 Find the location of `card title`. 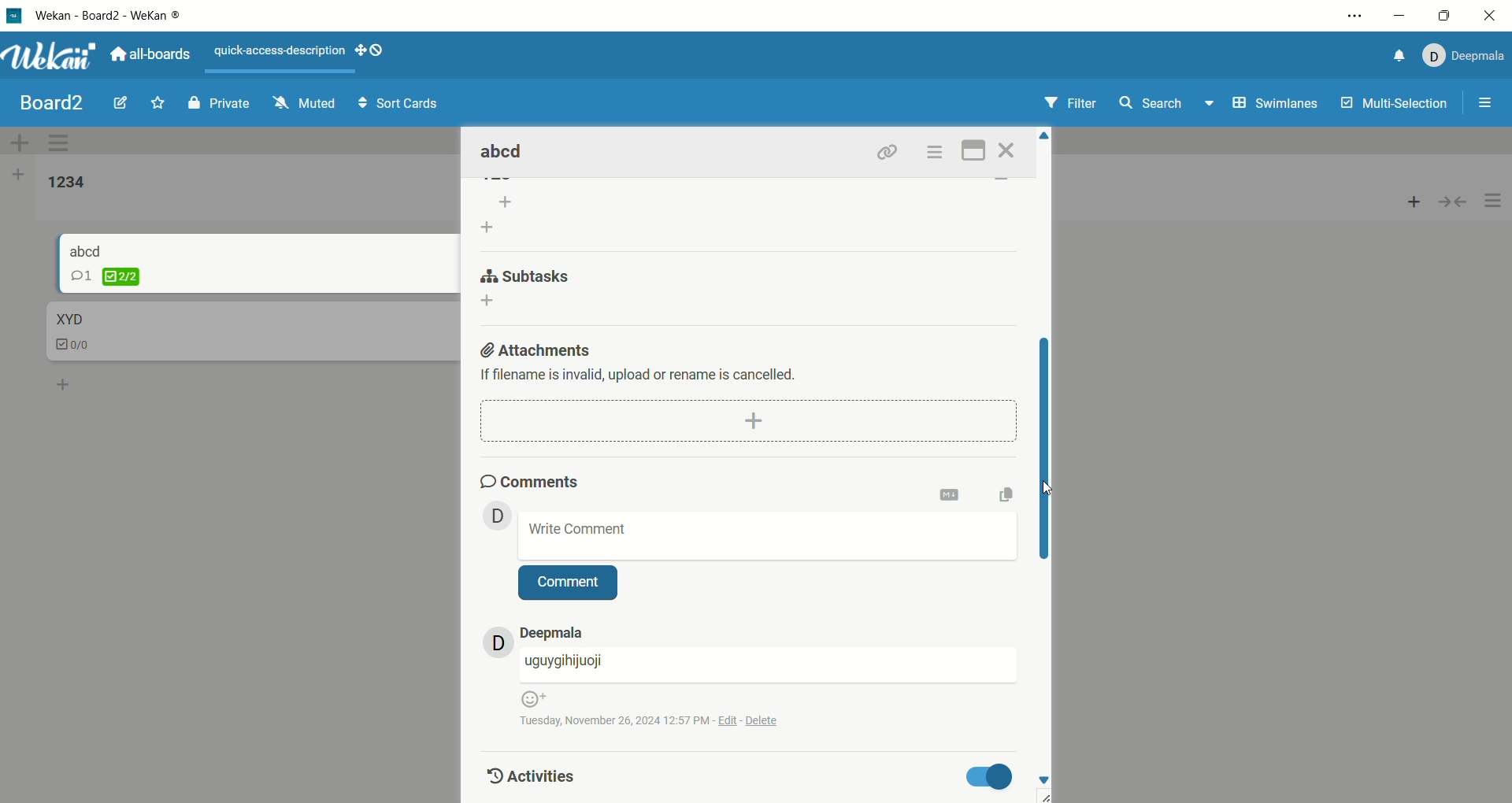

card title is located at coordinates (504, 153).